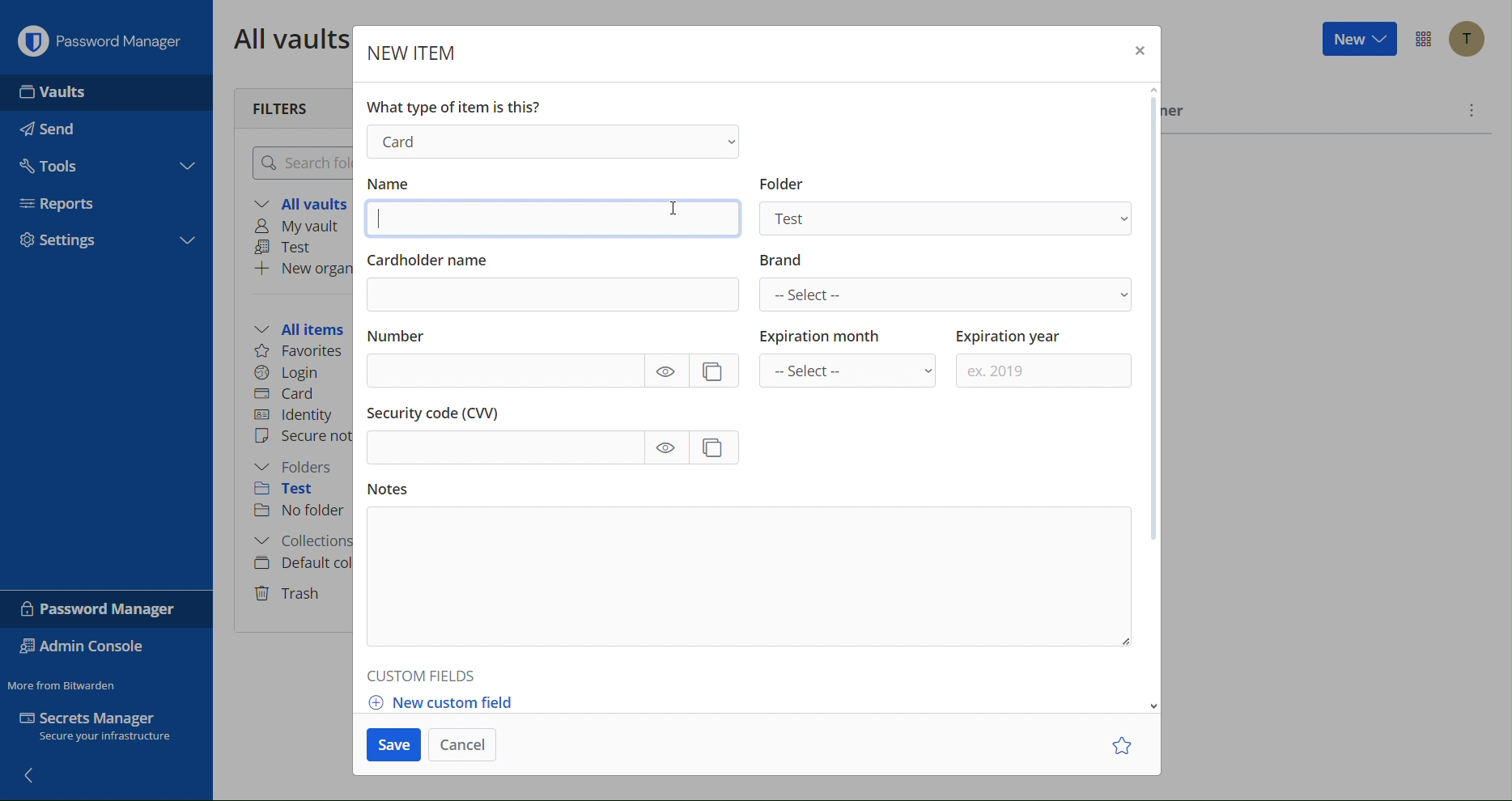  What do you see at coordinates (785, 184) in the screenshot?
I see `` at bounding box center [785, 184].